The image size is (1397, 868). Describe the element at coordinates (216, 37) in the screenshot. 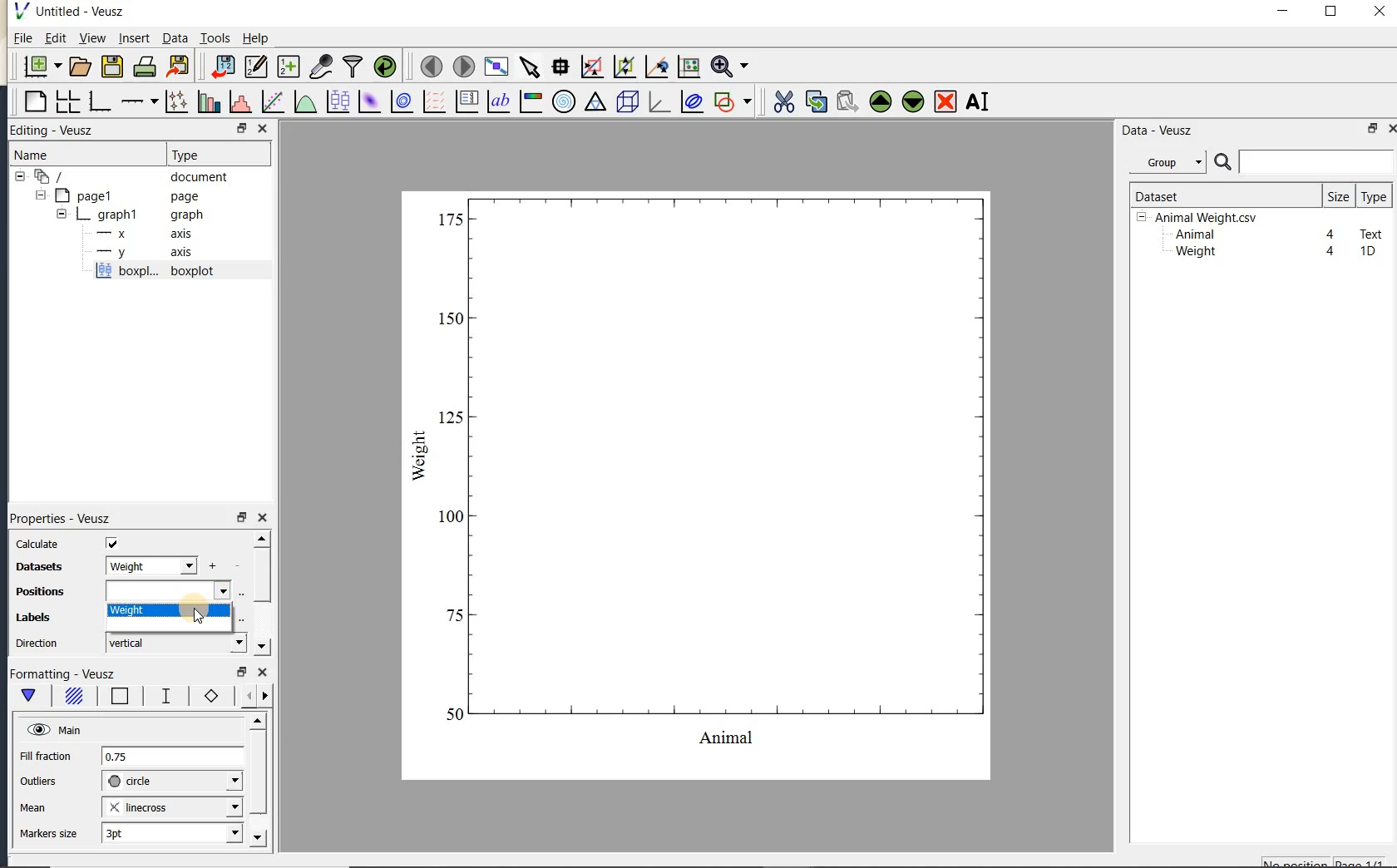

I see `Tools` at that location.